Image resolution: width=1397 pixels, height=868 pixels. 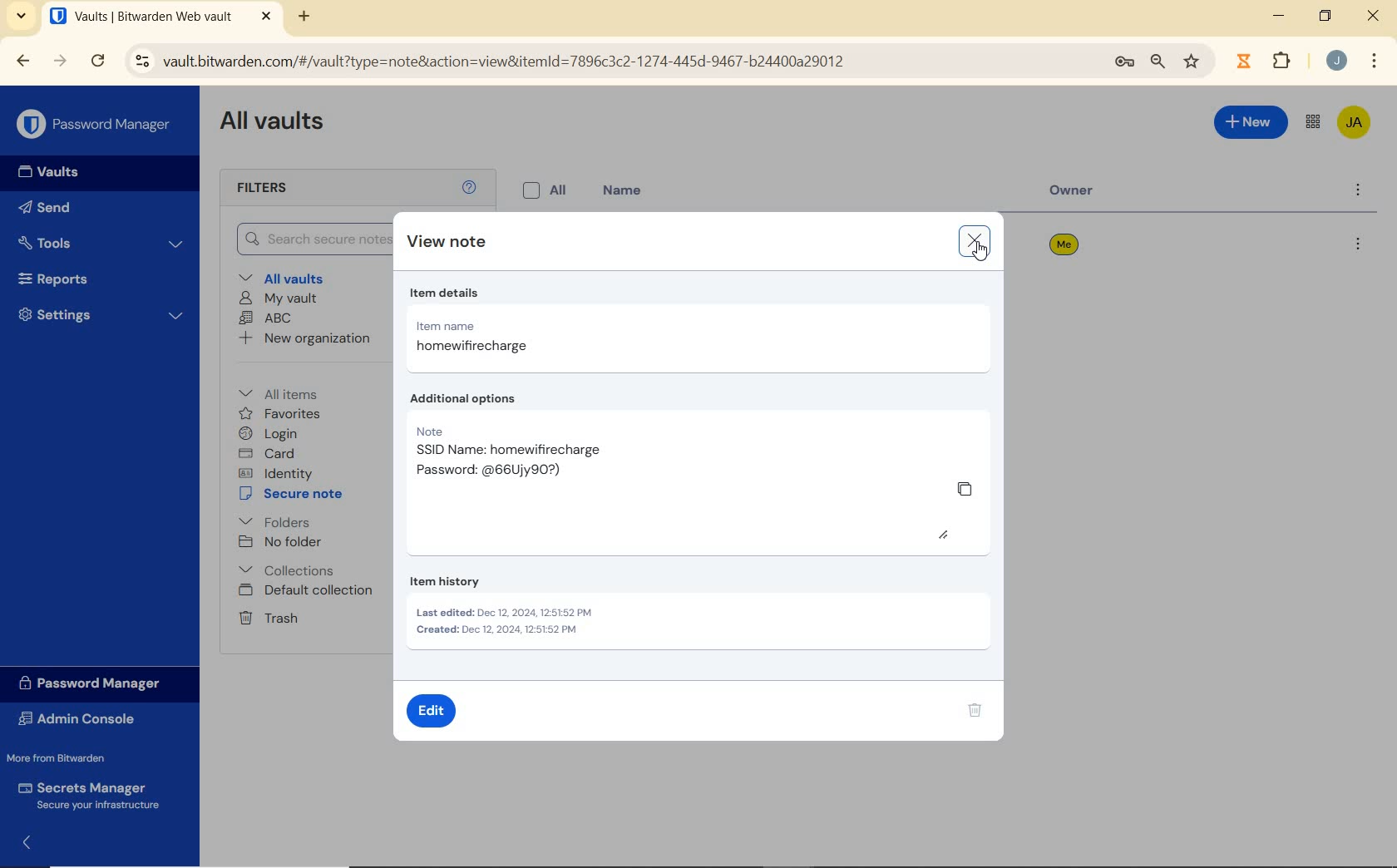 I want to click on All vaults, so click(x=284, y=277).